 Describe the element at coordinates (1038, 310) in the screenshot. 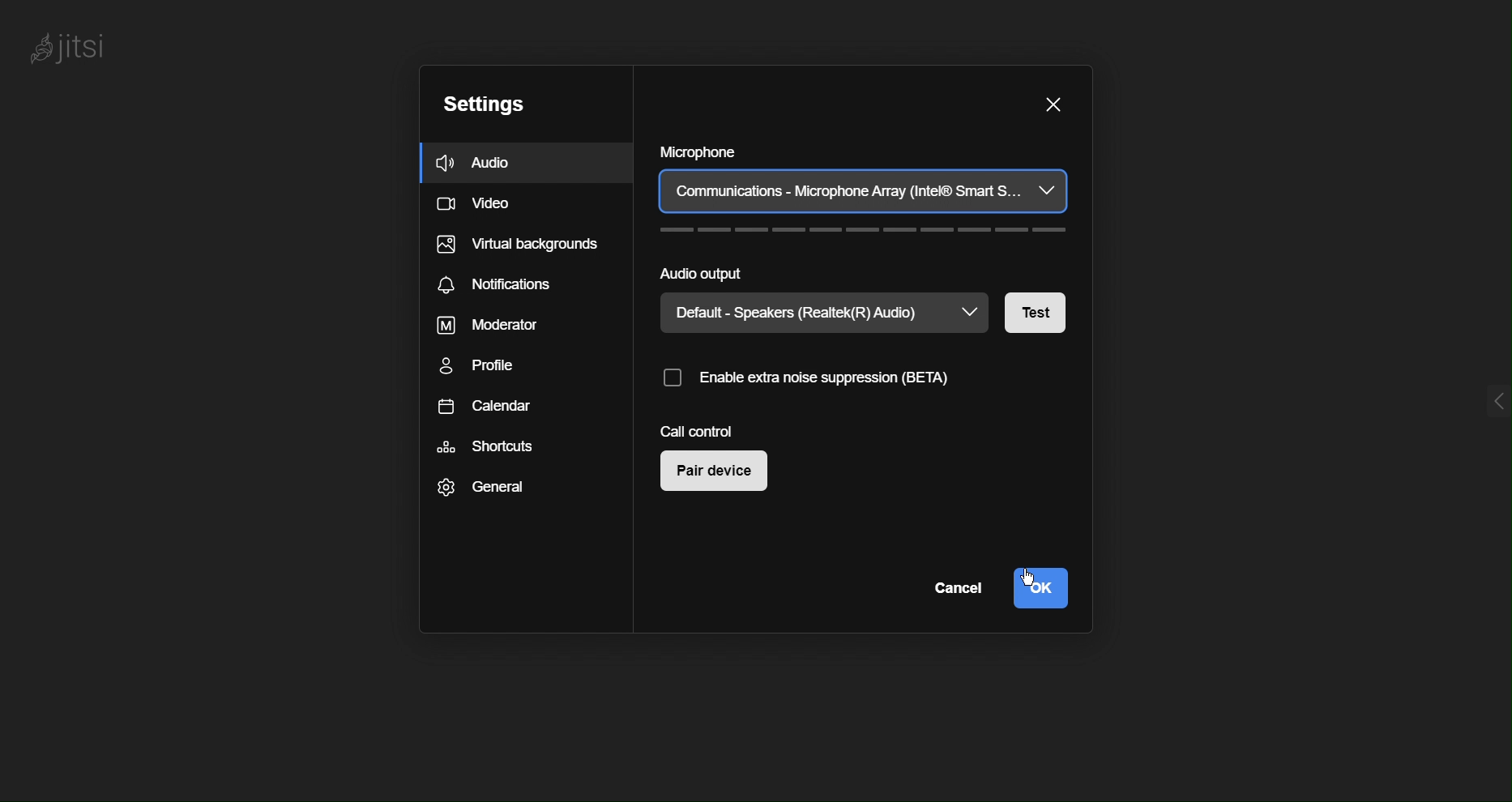

I see `Test` at that location.